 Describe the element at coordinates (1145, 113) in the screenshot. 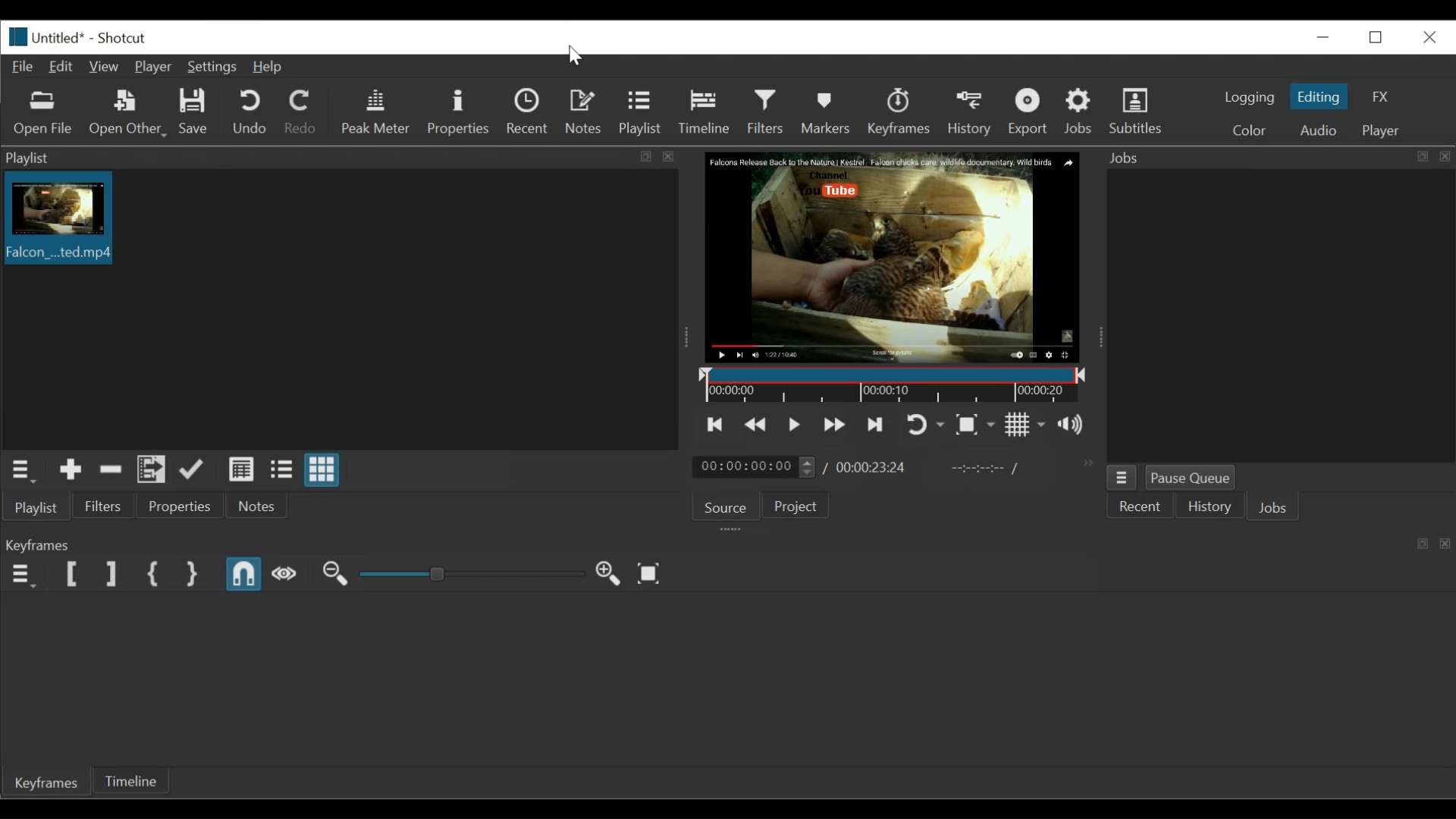

I see `Subtitles` at that location.